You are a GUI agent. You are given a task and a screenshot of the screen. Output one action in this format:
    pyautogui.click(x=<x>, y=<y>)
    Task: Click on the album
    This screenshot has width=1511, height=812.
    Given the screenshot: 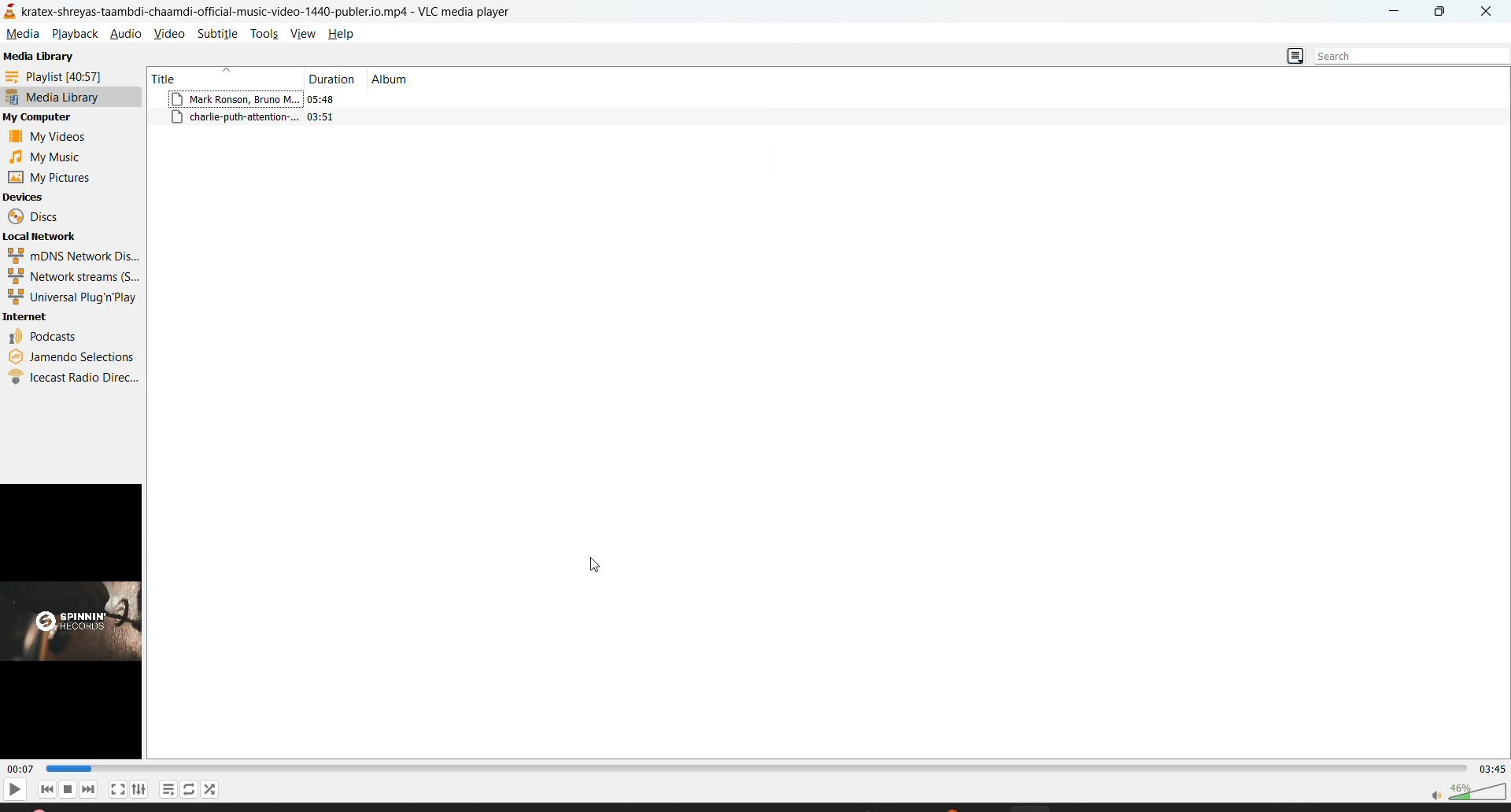 What is the action you would take?
    pyautogui.click(x=399, y=79)
    